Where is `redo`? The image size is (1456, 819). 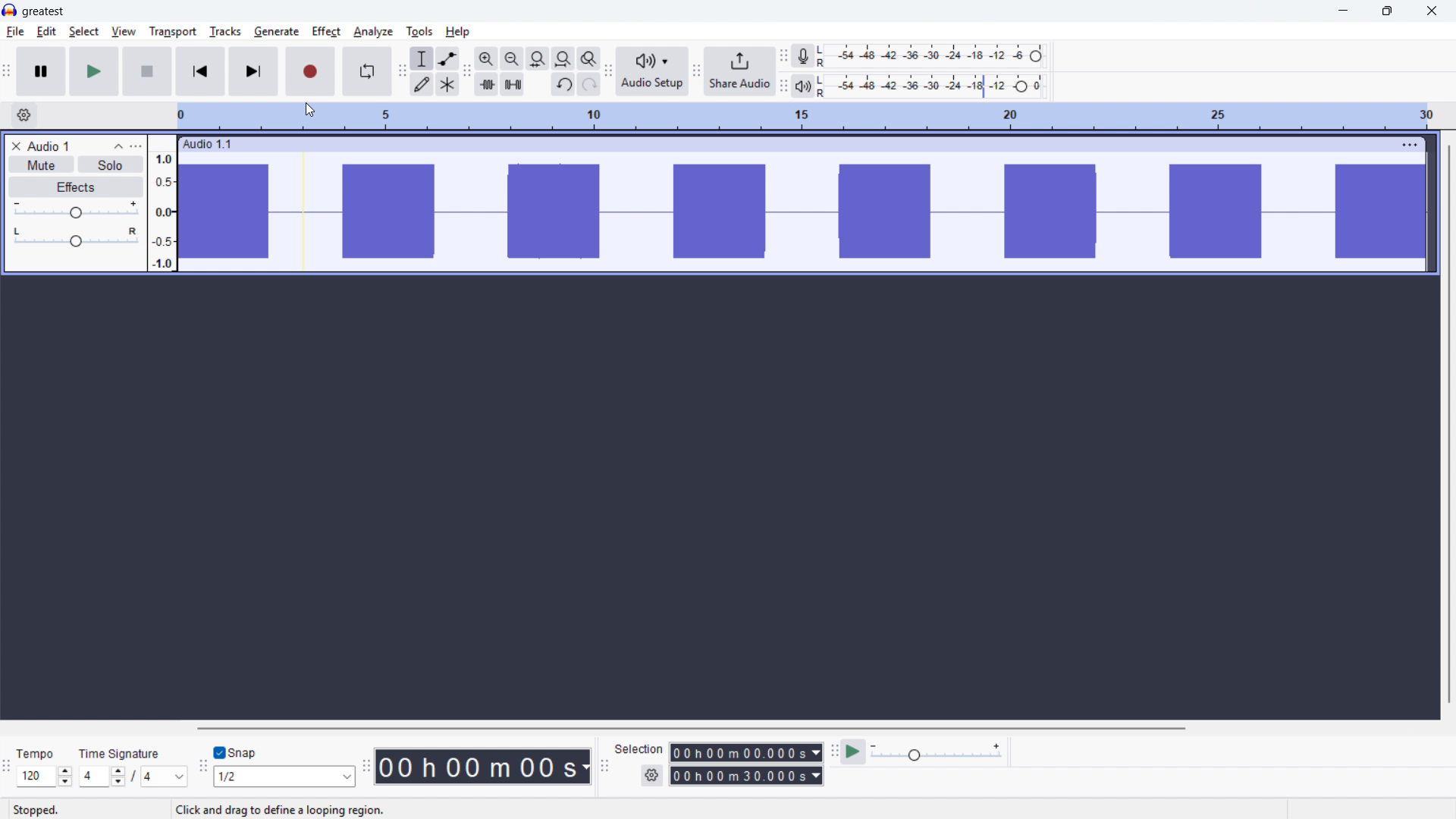
redo is located at coordinates (588, 86).